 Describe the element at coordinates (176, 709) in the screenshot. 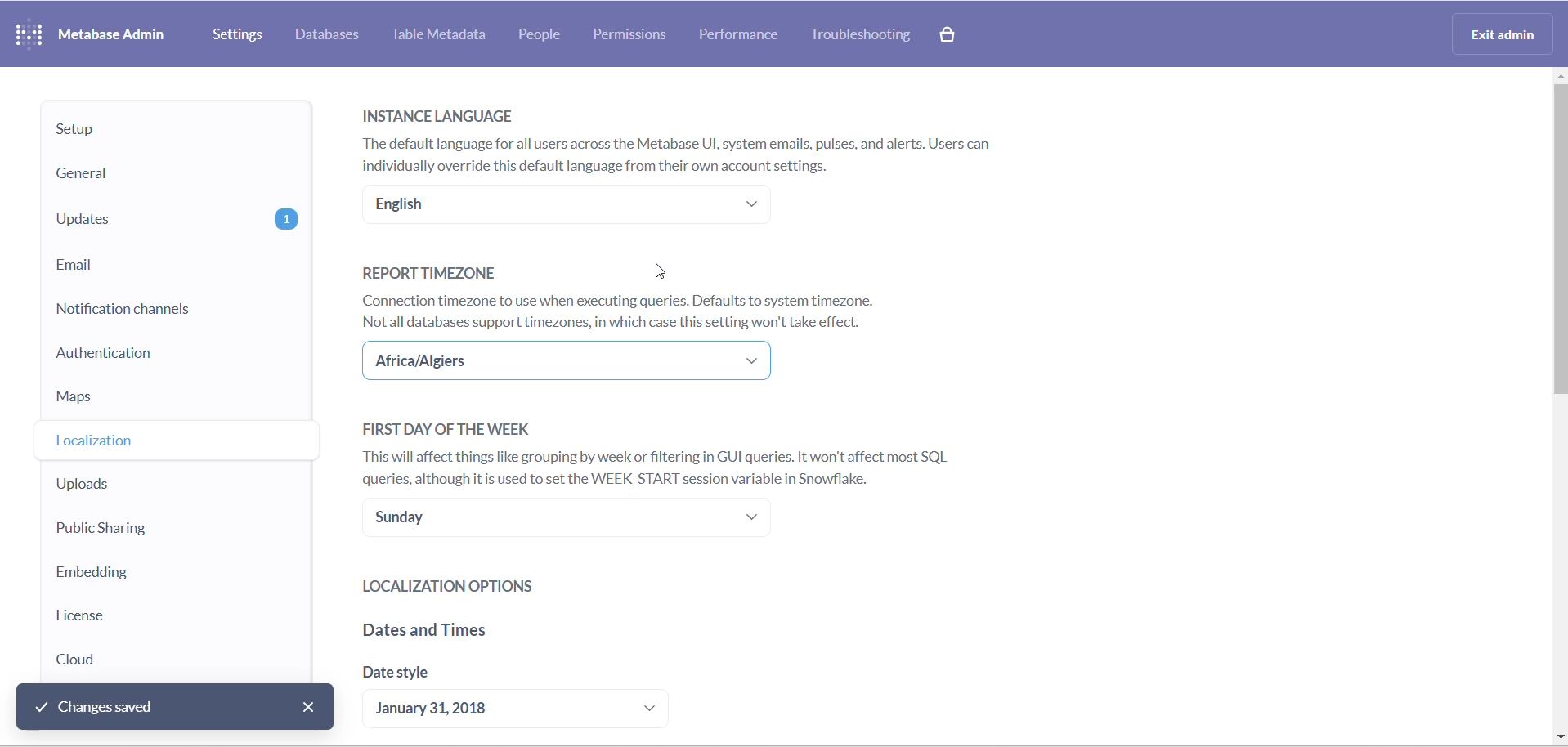

I see `notification changes` at that location.